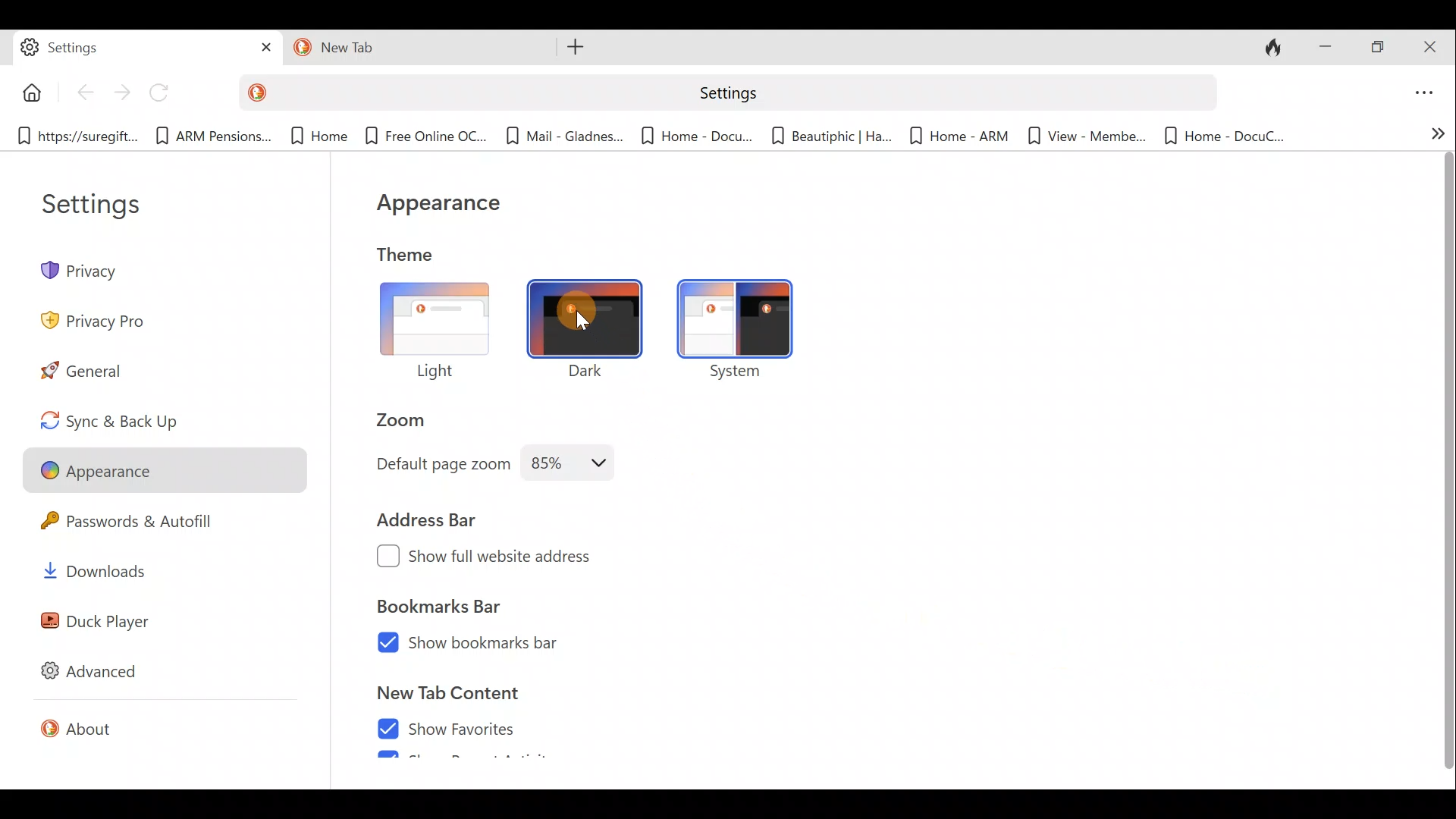 Image resolution: width=1456 pixels, height=819 pixels. Describe the element at coordinates (593, 331) in the screenshot. I see `Dark` at that location.